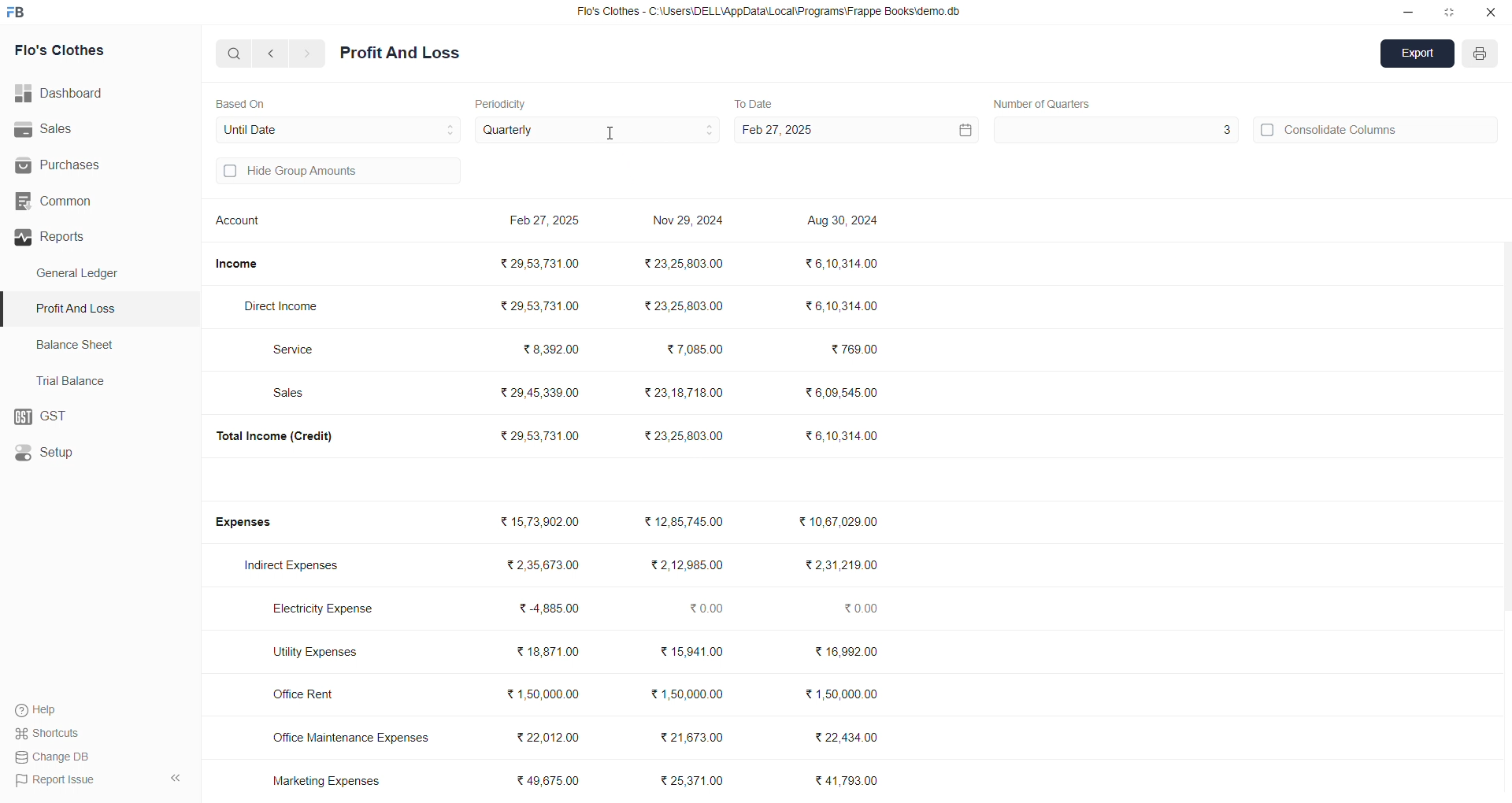 This screenshot has height=803, width=1512. What do you see at coordinates (847, 652) in the screenshot?
I see `₹16,992.00` at bounding box center [847, 652].